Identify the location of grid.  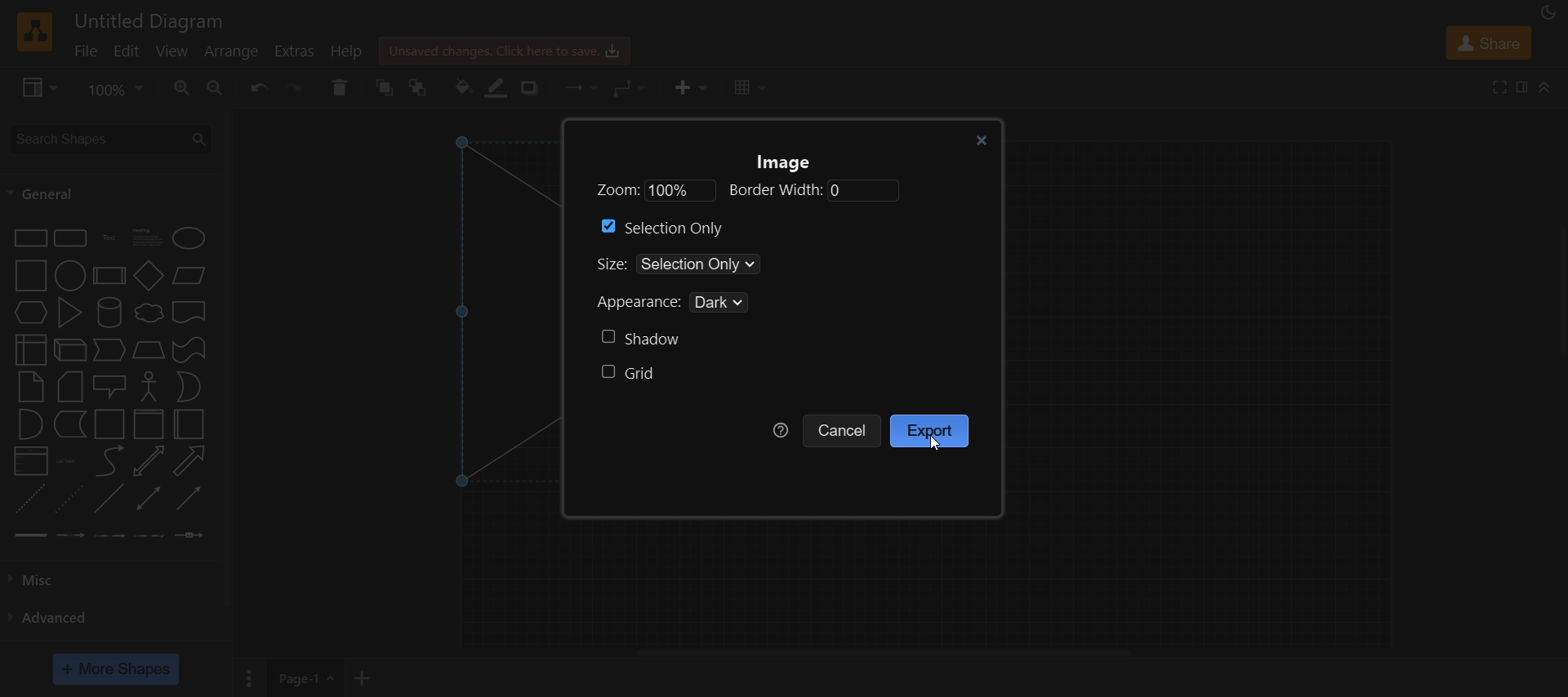
(630, 375).